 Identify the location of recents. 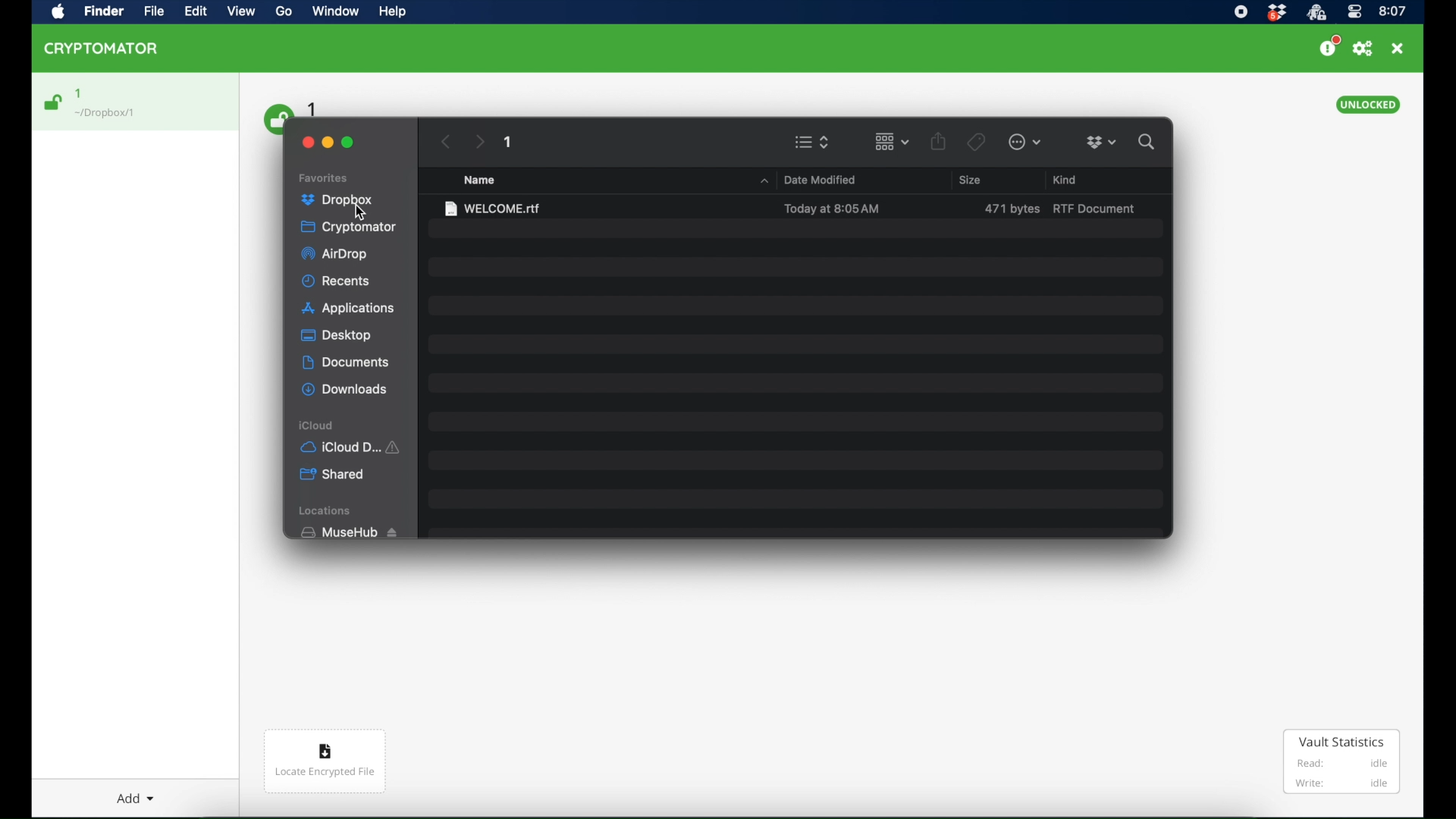
(337, 281).